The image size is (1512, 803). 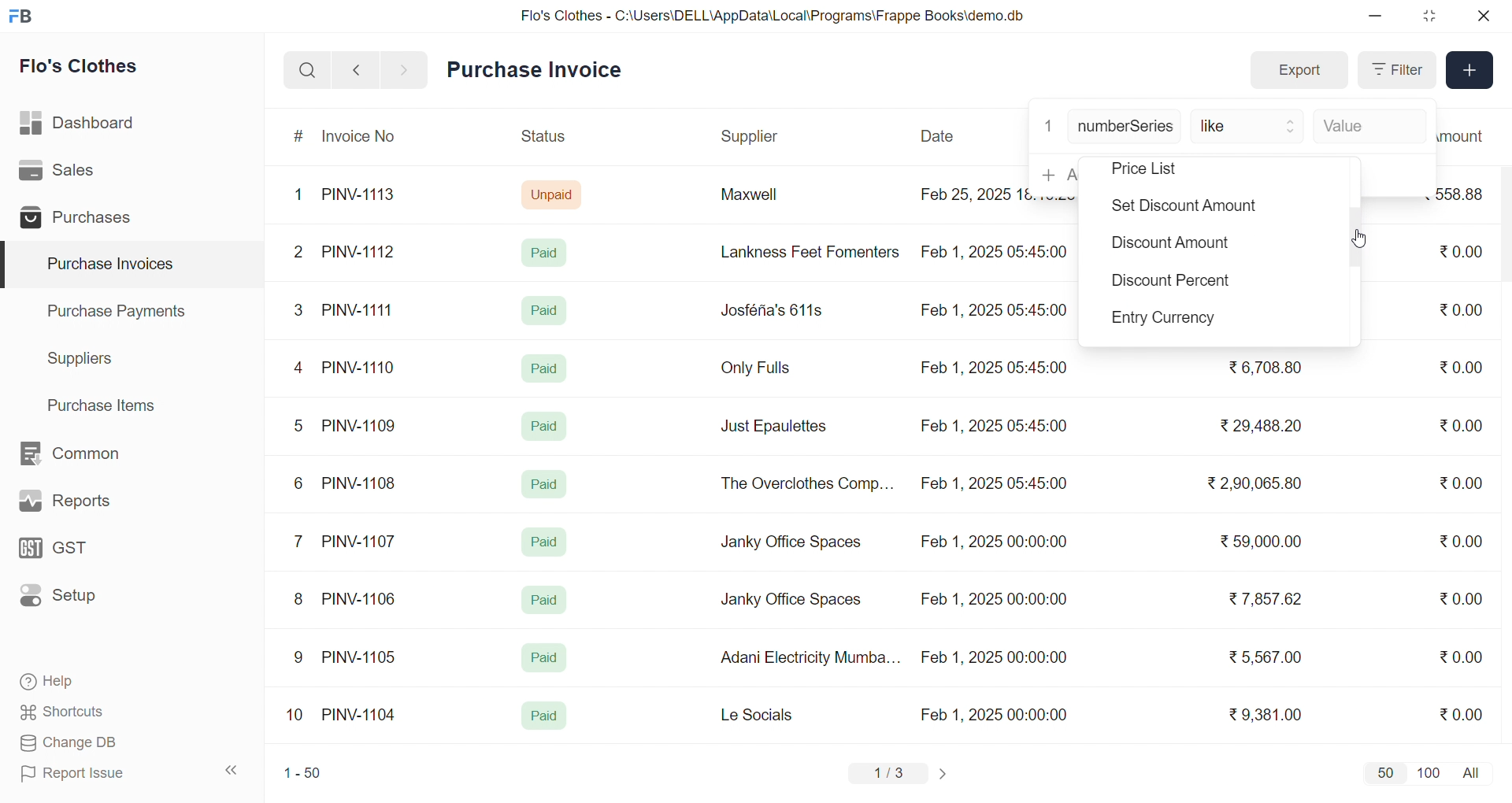 What do you see at coordinates (82, 553) in the screenshot?
I see `GST` at bounding box center [82, 553].